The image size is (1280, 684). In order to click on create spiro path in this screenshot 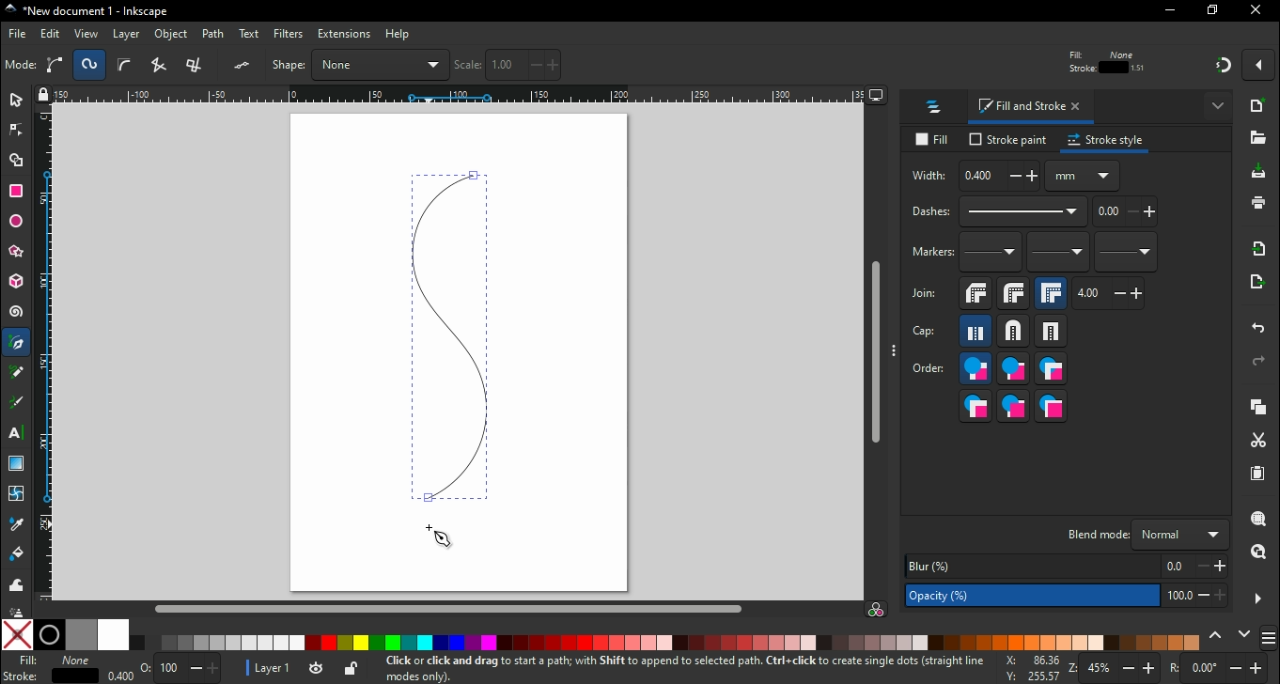, I will do `click(90, 64)`.